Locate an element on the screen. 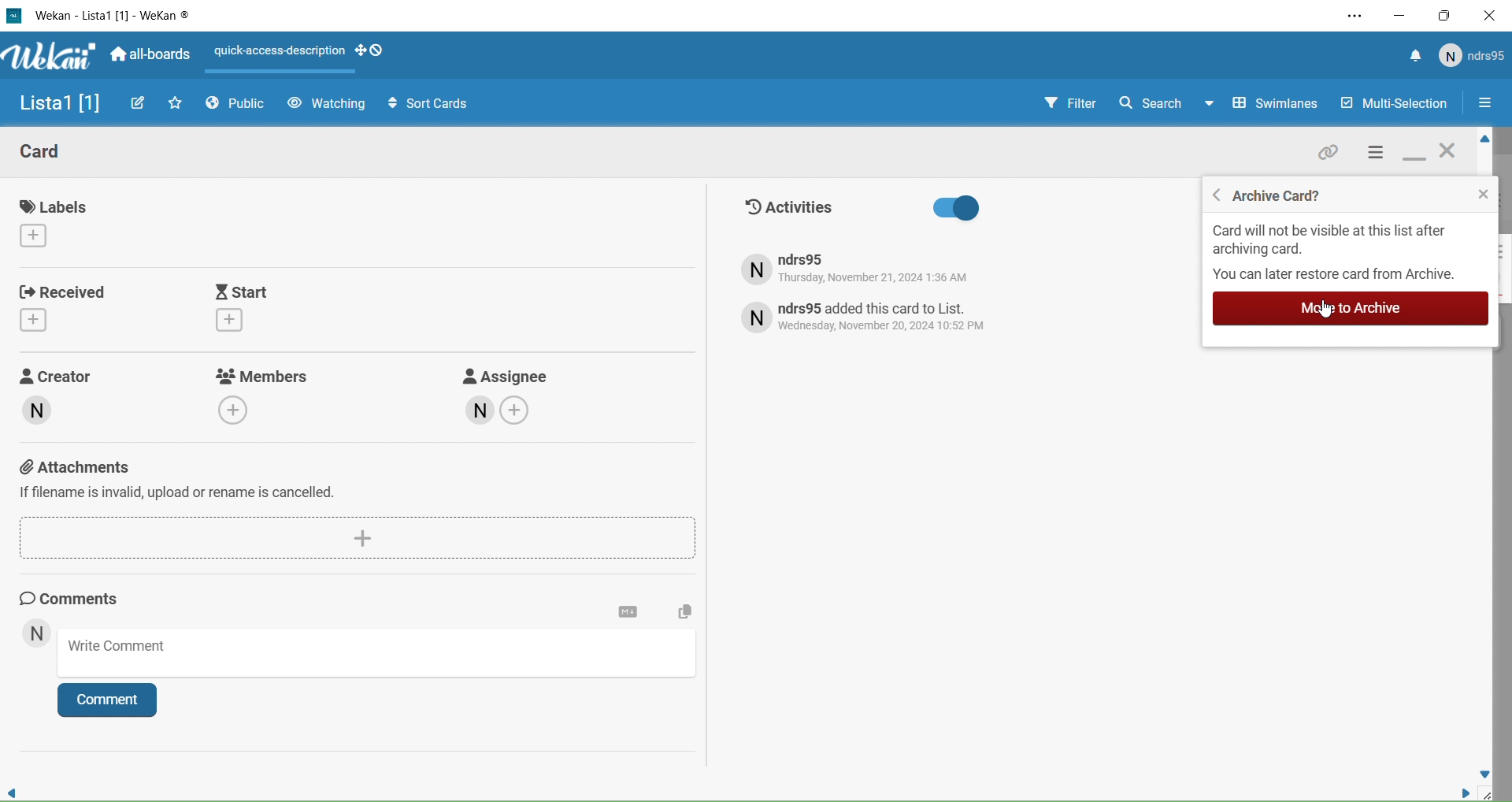 Image resolution: width=1512 pixels, height=802 pixels. Notifications is located at coordinates (1414, 54).